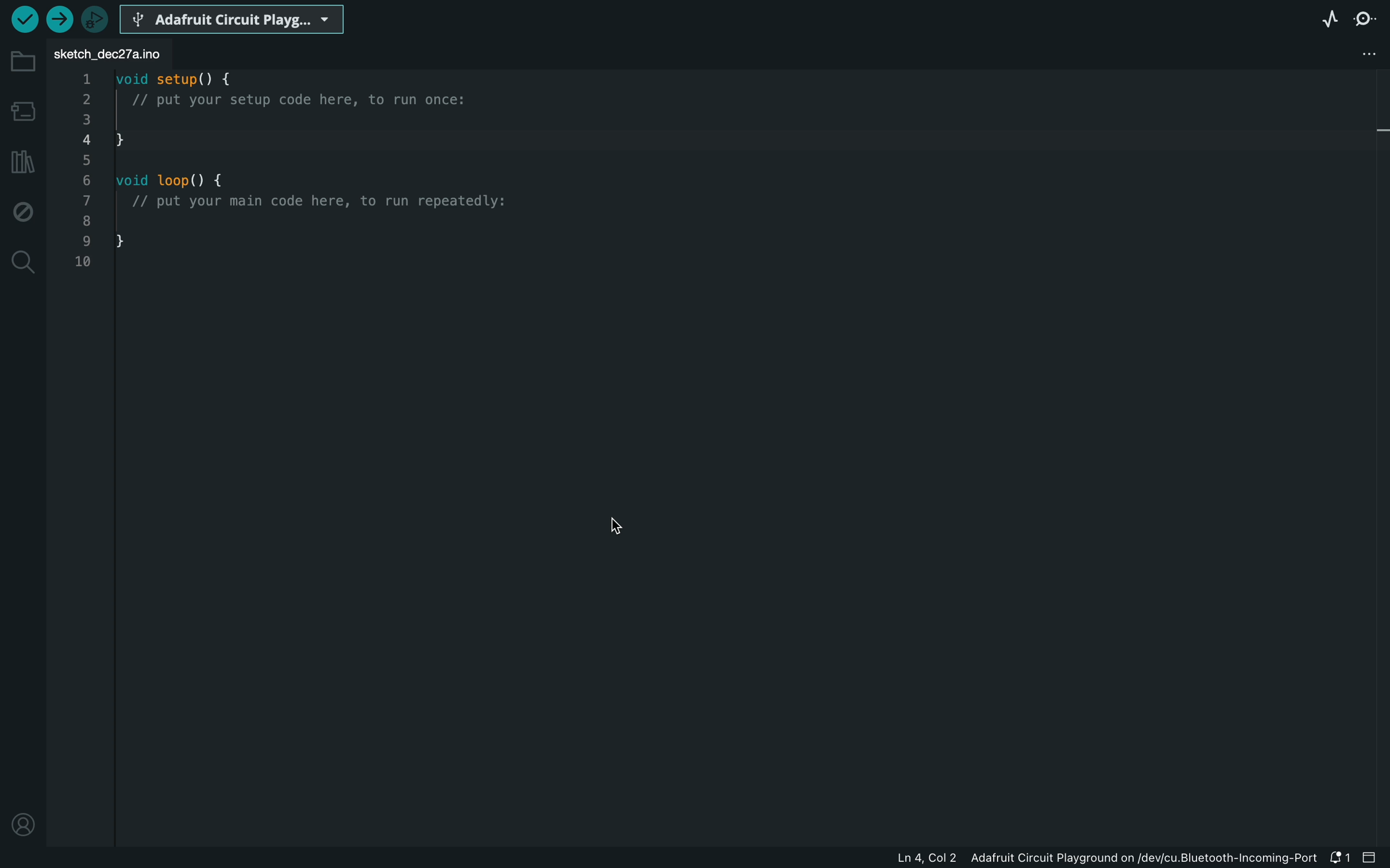  I want to click on board manager, so click(23, 110).